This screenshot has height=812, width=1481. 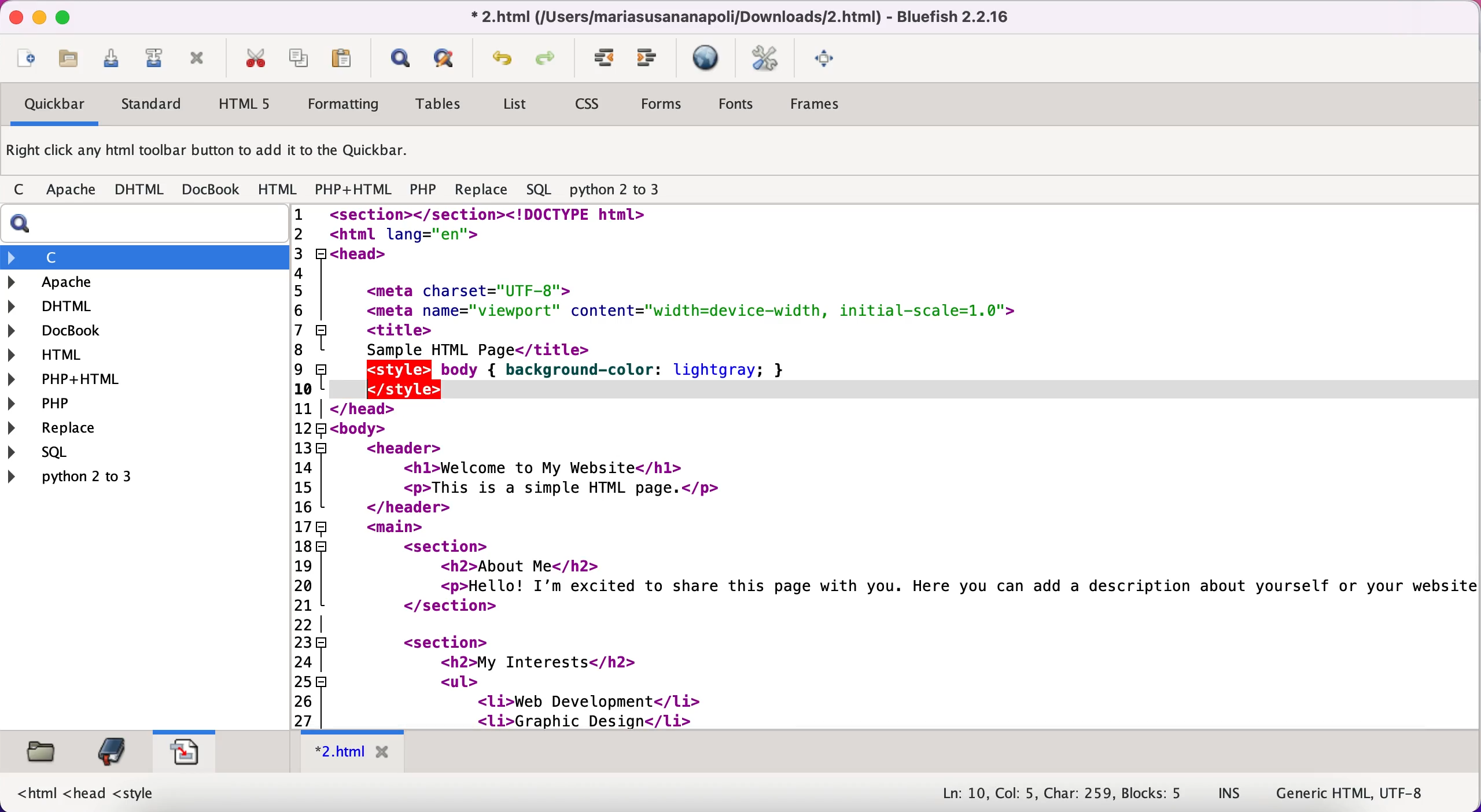 What do you see at coordinates (73, 192) in the screenshot?
I see `apache` at bounding box center [73, 192].